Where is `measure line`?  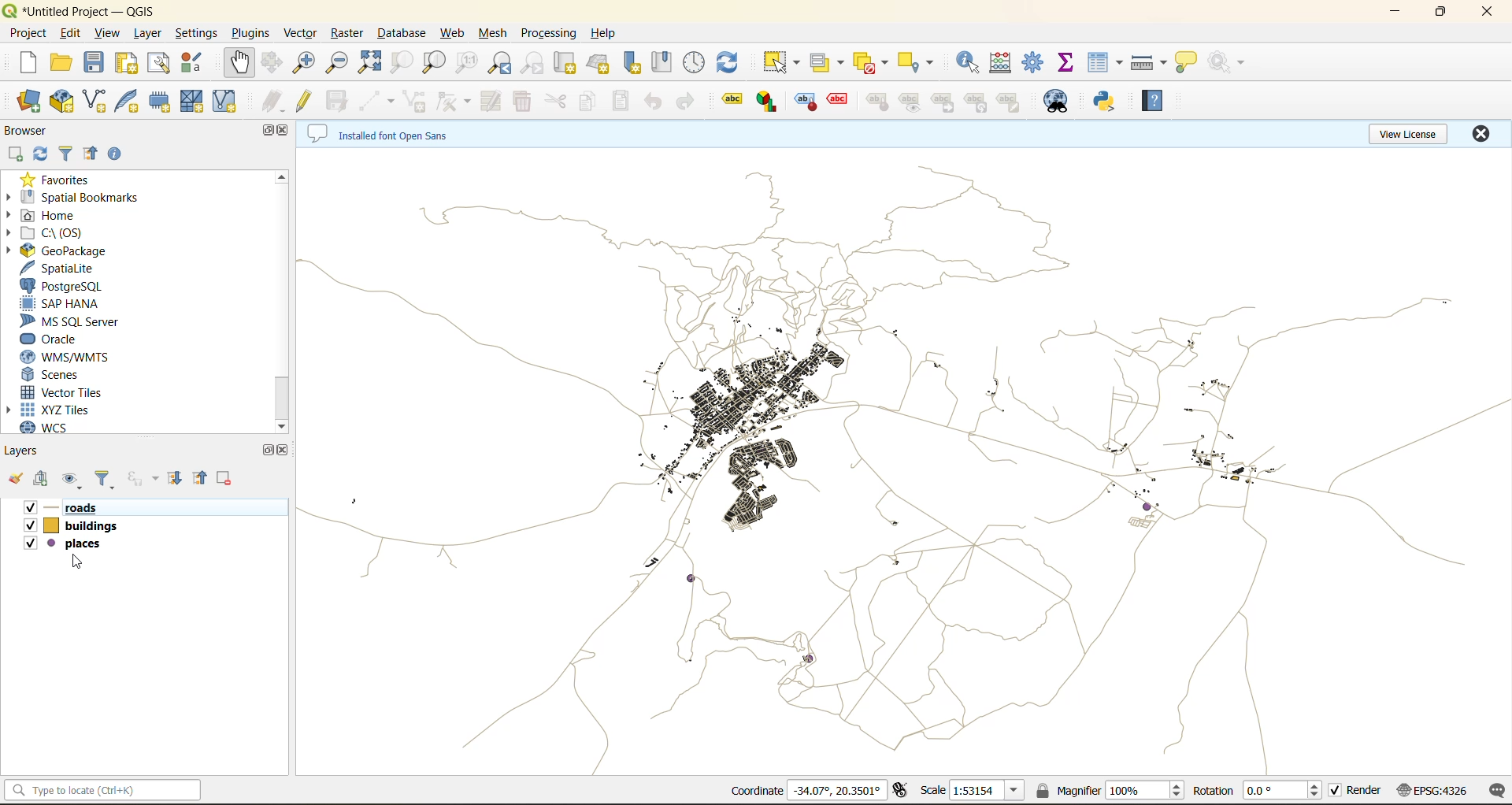
measure line is located at coordinates (1151, 65).